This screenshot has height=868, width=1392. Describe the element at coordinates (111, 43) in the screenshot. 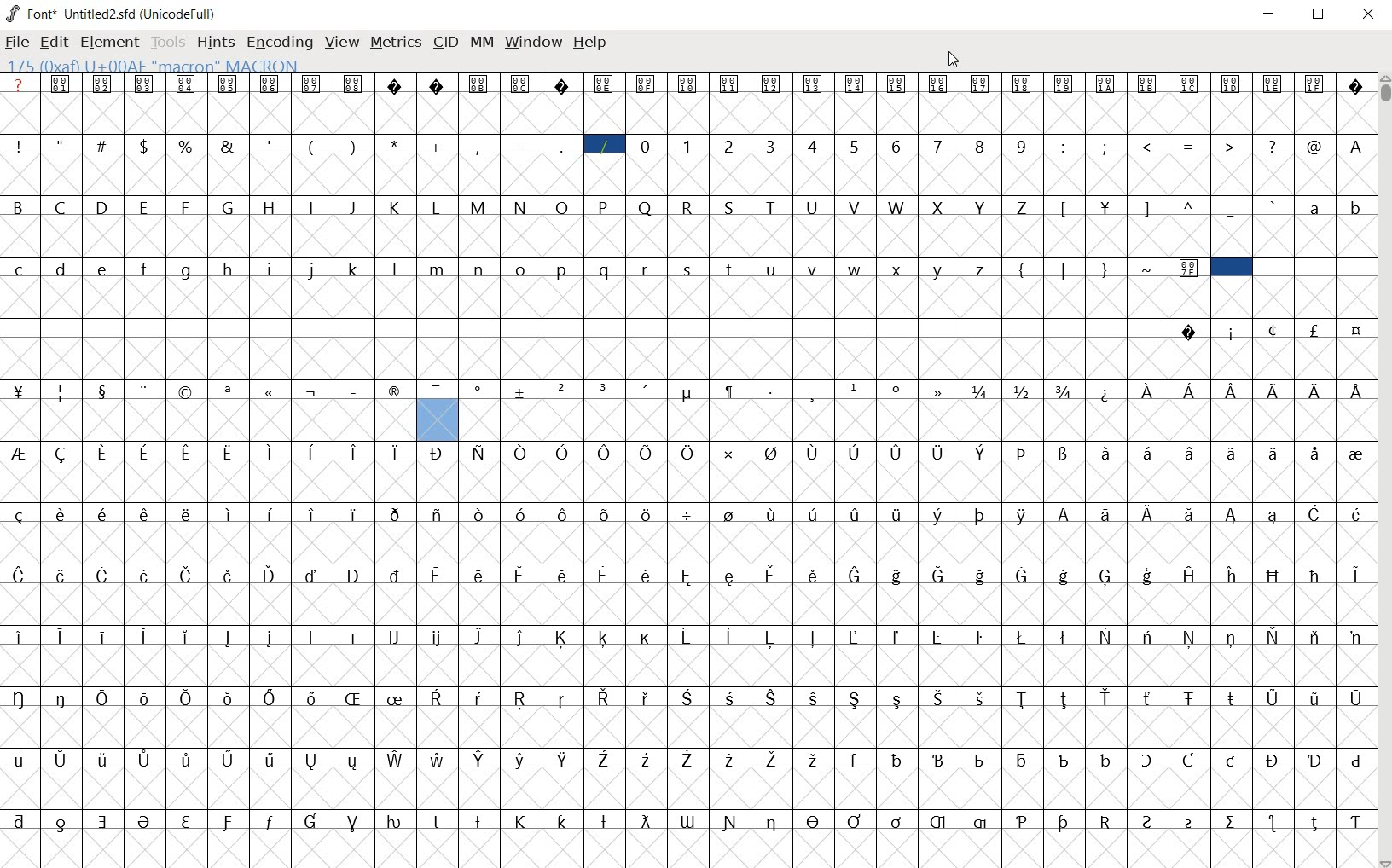

I see `element` at that location.